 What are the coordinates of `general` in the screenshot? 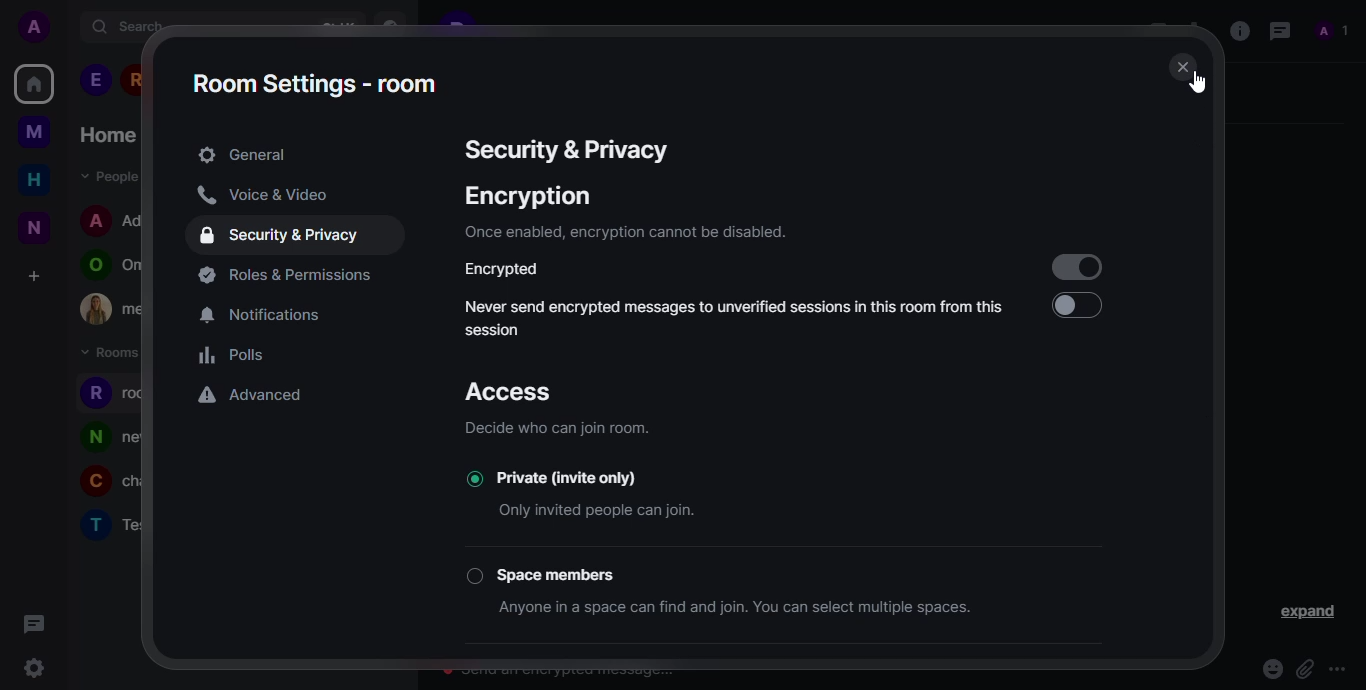 It's located at (242, 155).